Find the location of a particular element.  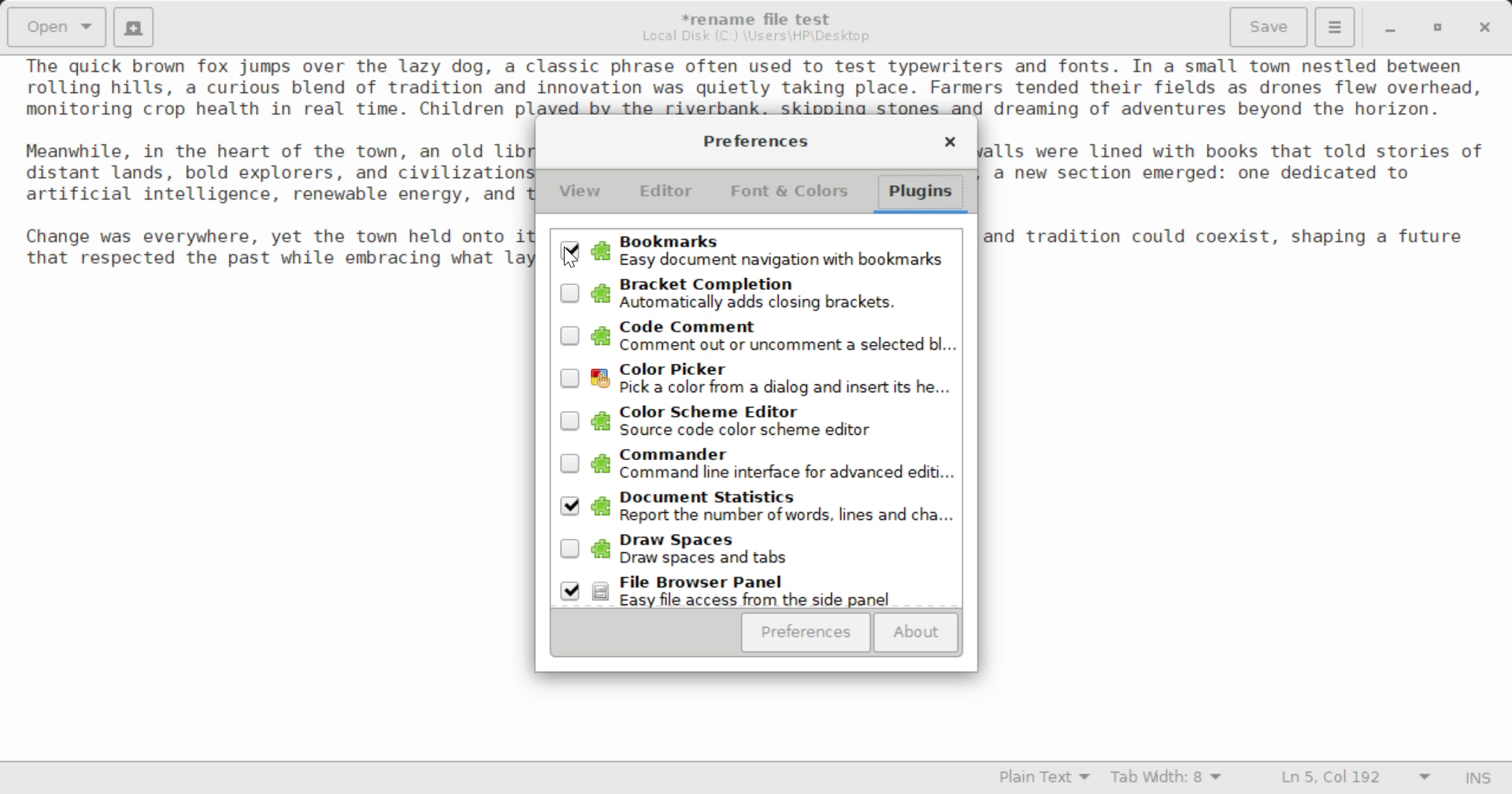

Close Window is located at coordinates (1487, 26).